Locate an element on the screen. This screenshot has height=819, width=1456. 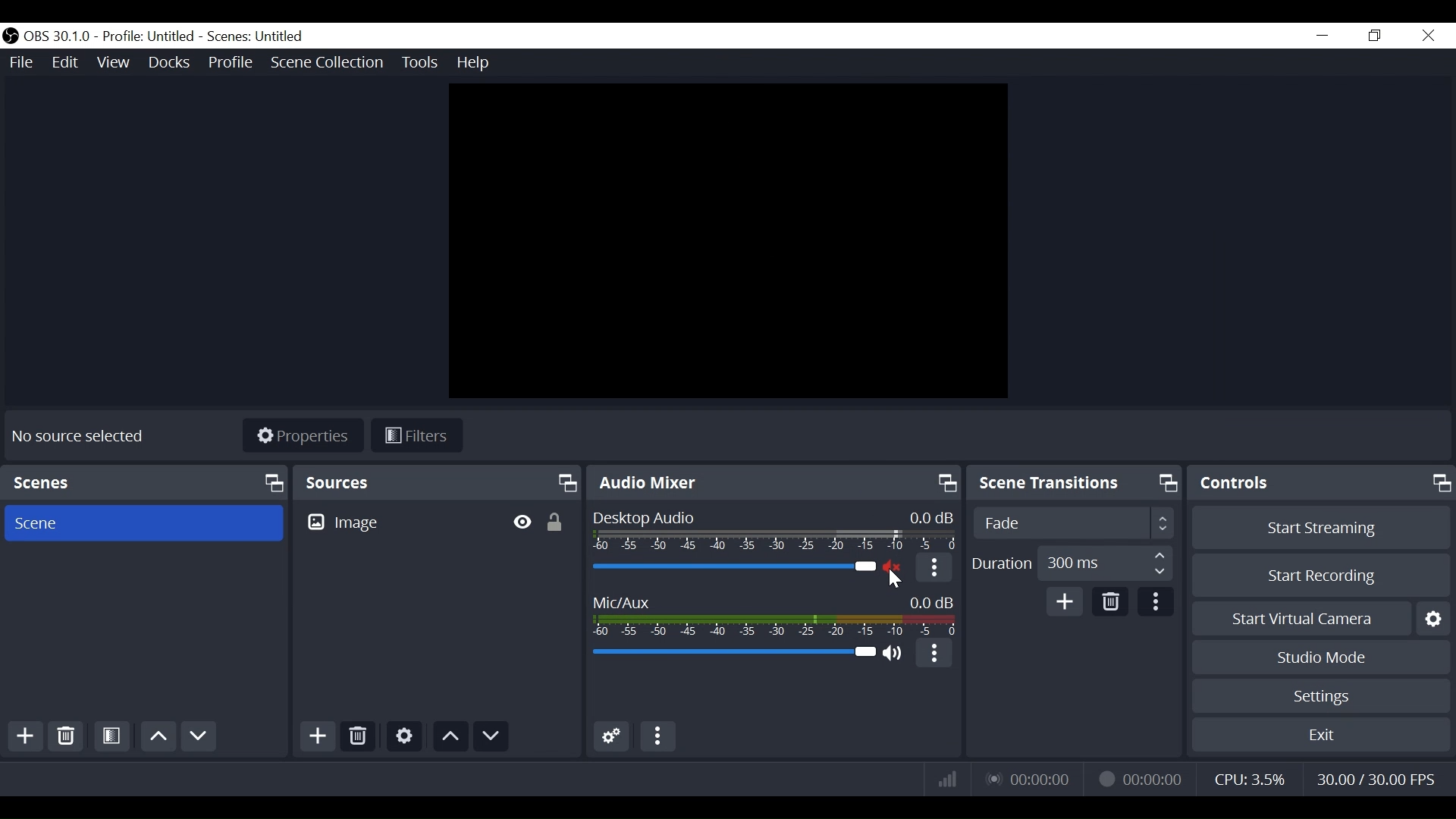
View is located at coordinates (116, 64).